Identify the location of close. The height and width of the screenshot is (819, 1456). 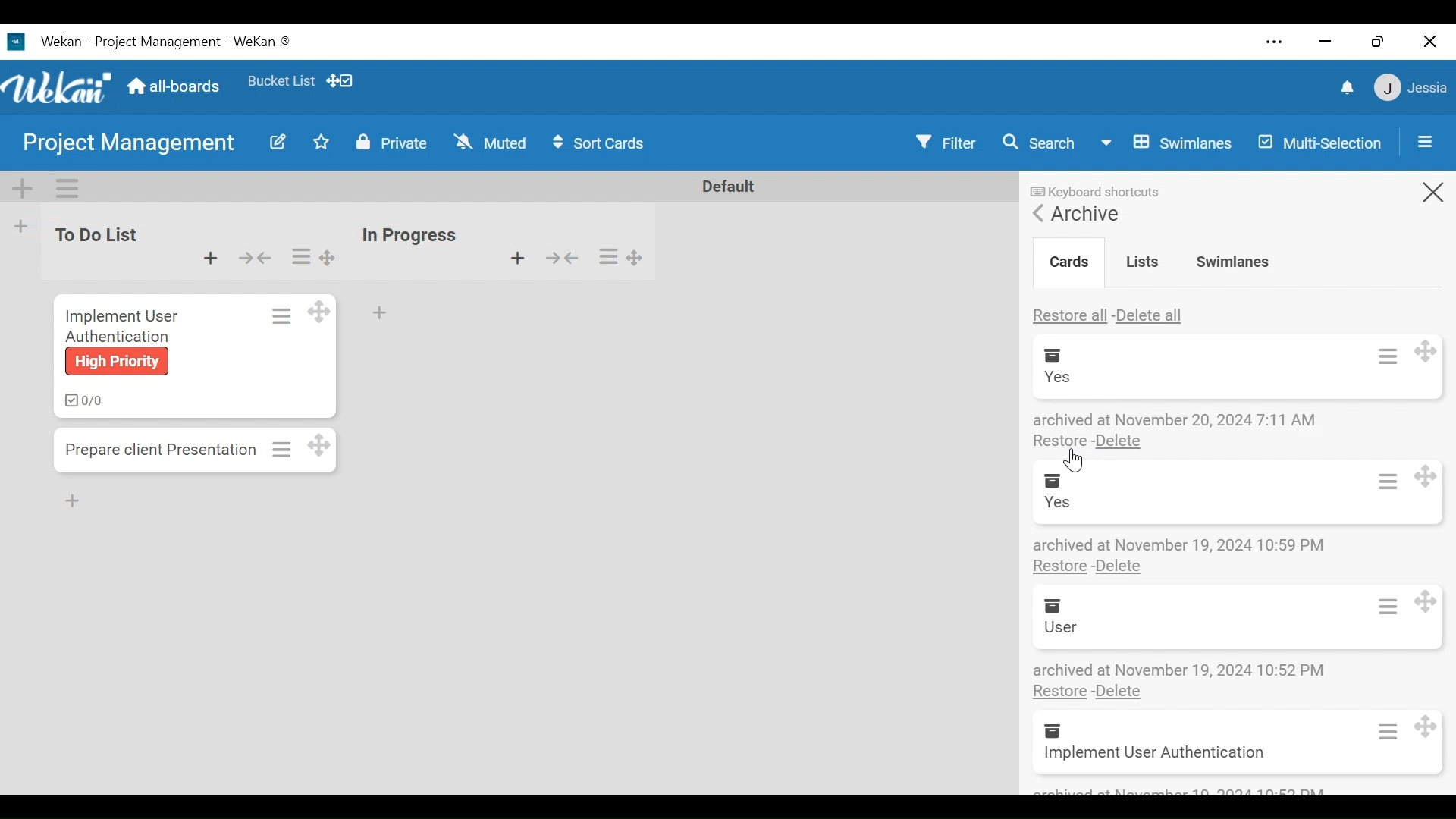
(1430, 42).